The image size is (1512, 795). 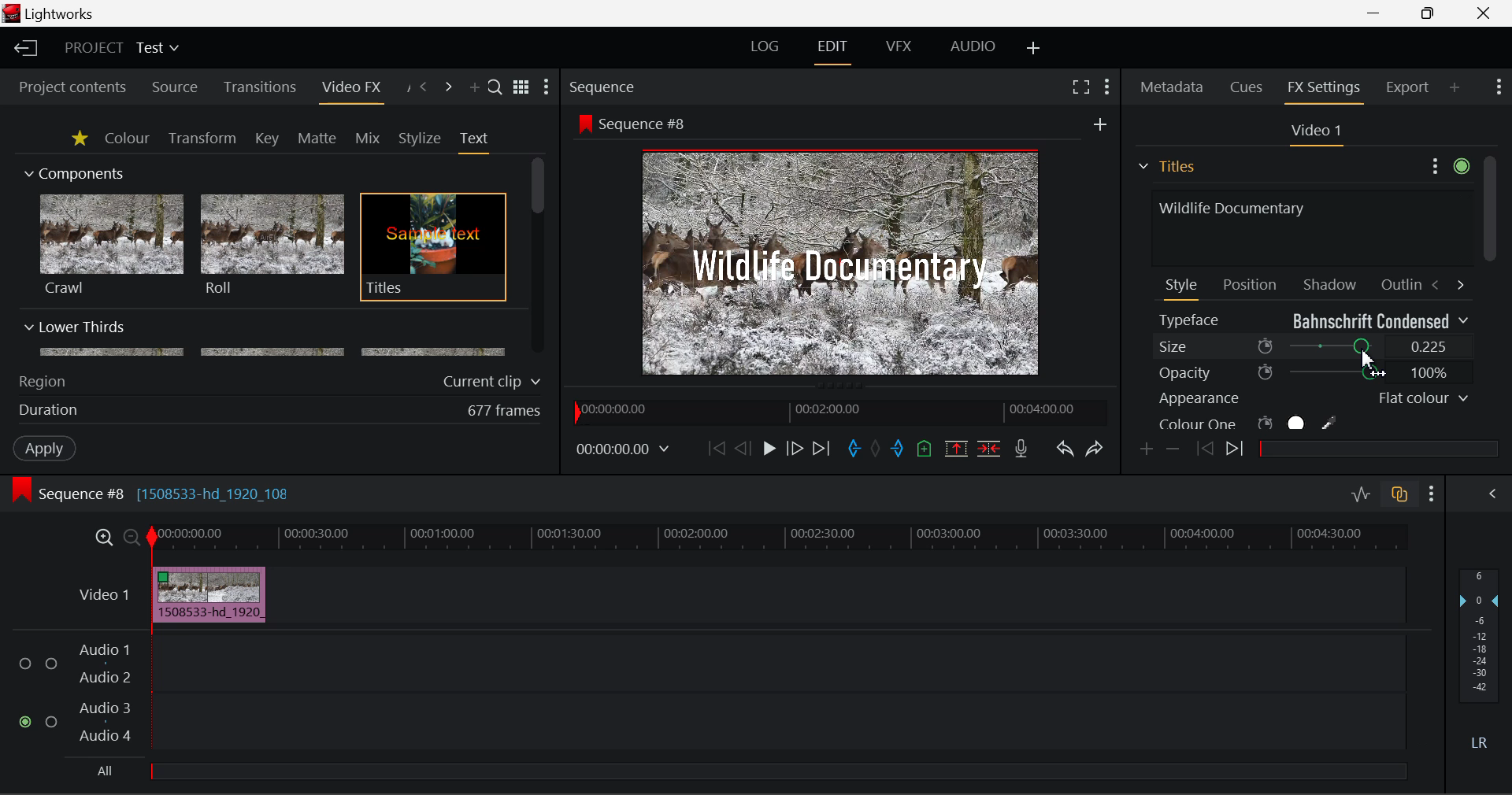 What do you see at coordinates (1096, 449) in the screenshot?
I see `Redo` at bounding box center [1096, 449].